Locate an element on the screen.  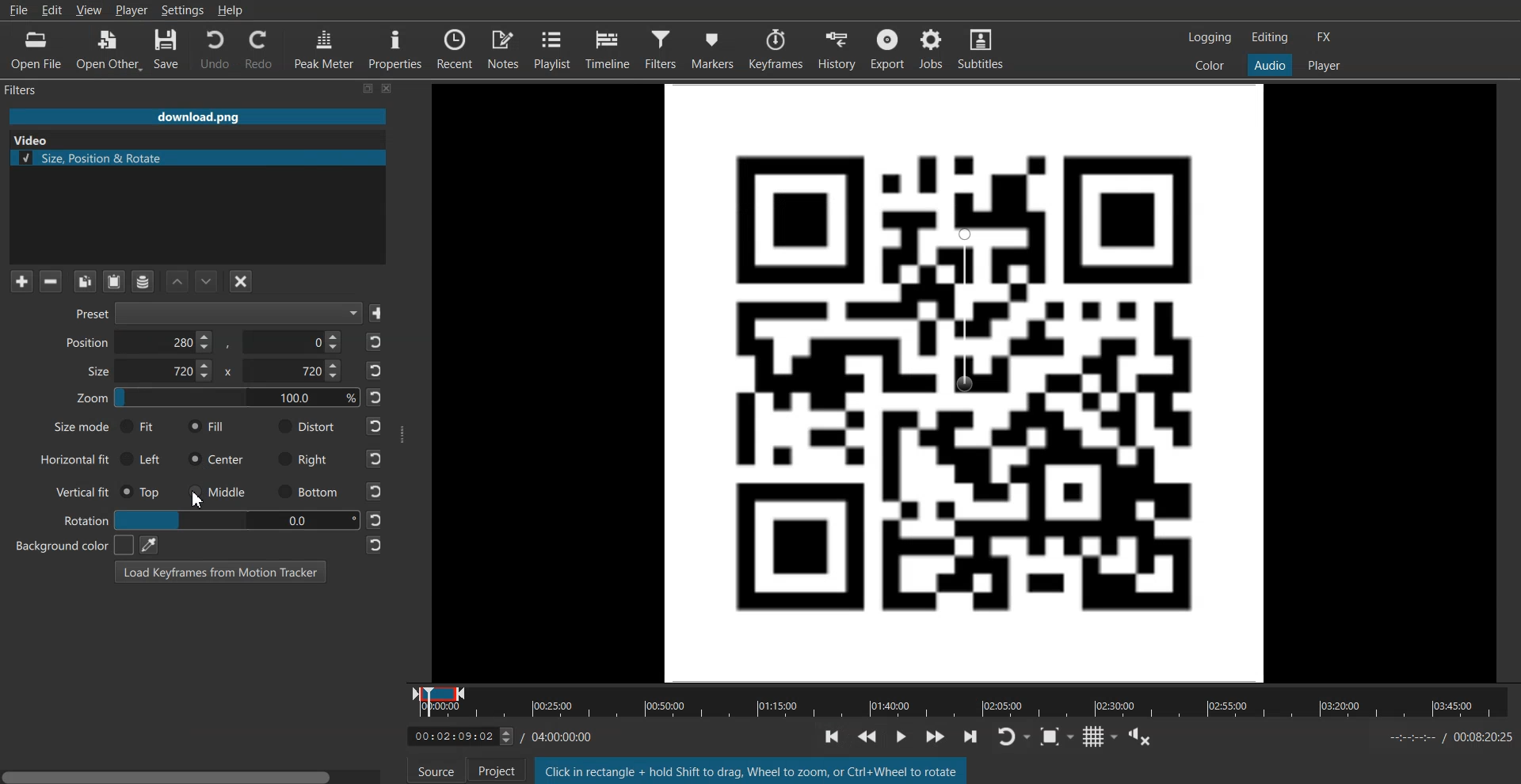
Rotation Adjuster is located at coordinates (84, 519).